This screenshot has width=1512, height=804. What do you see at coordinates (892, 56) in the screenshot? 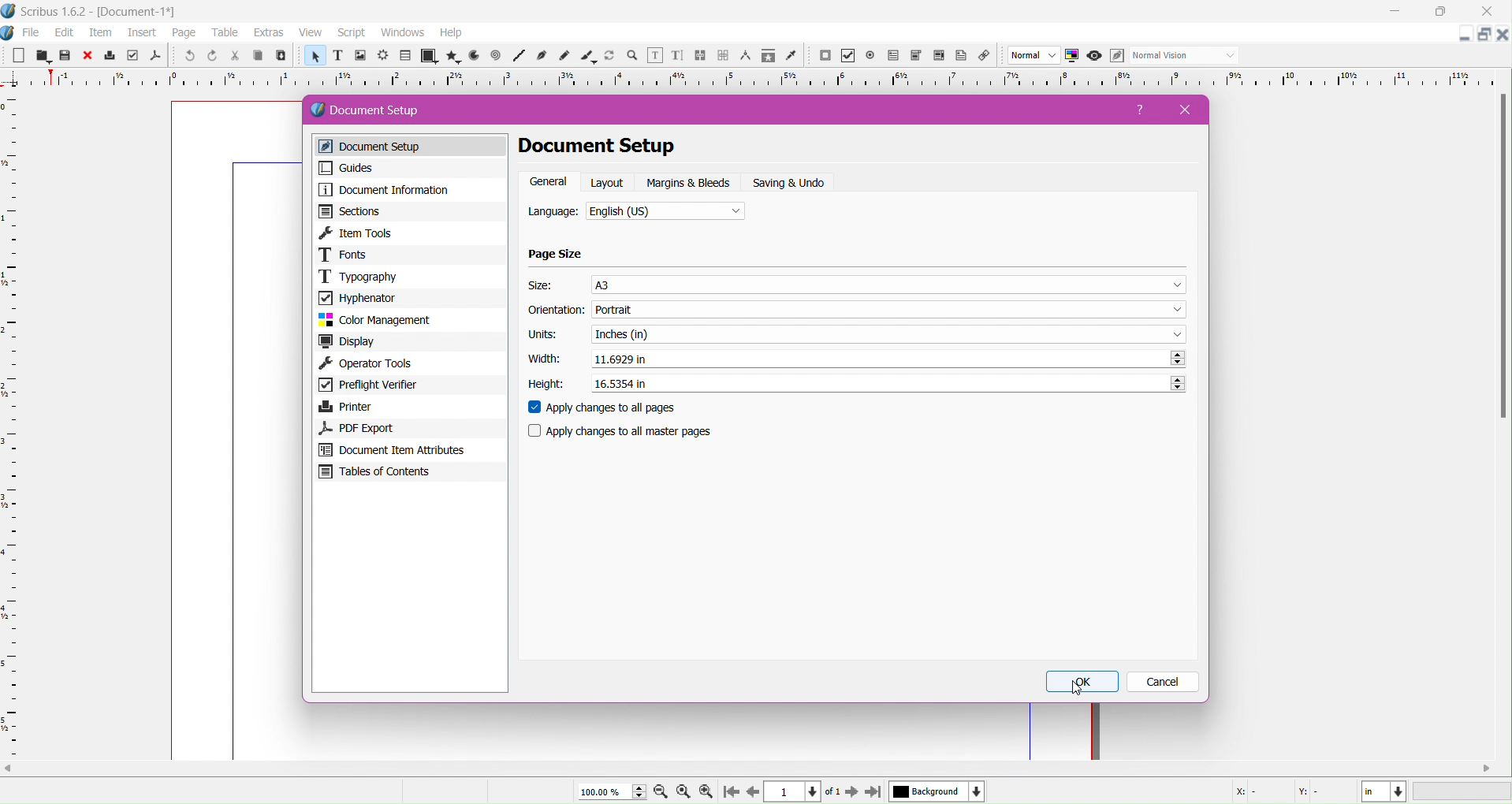
I see `pdf checkbox` at bounding box center [892, 56].